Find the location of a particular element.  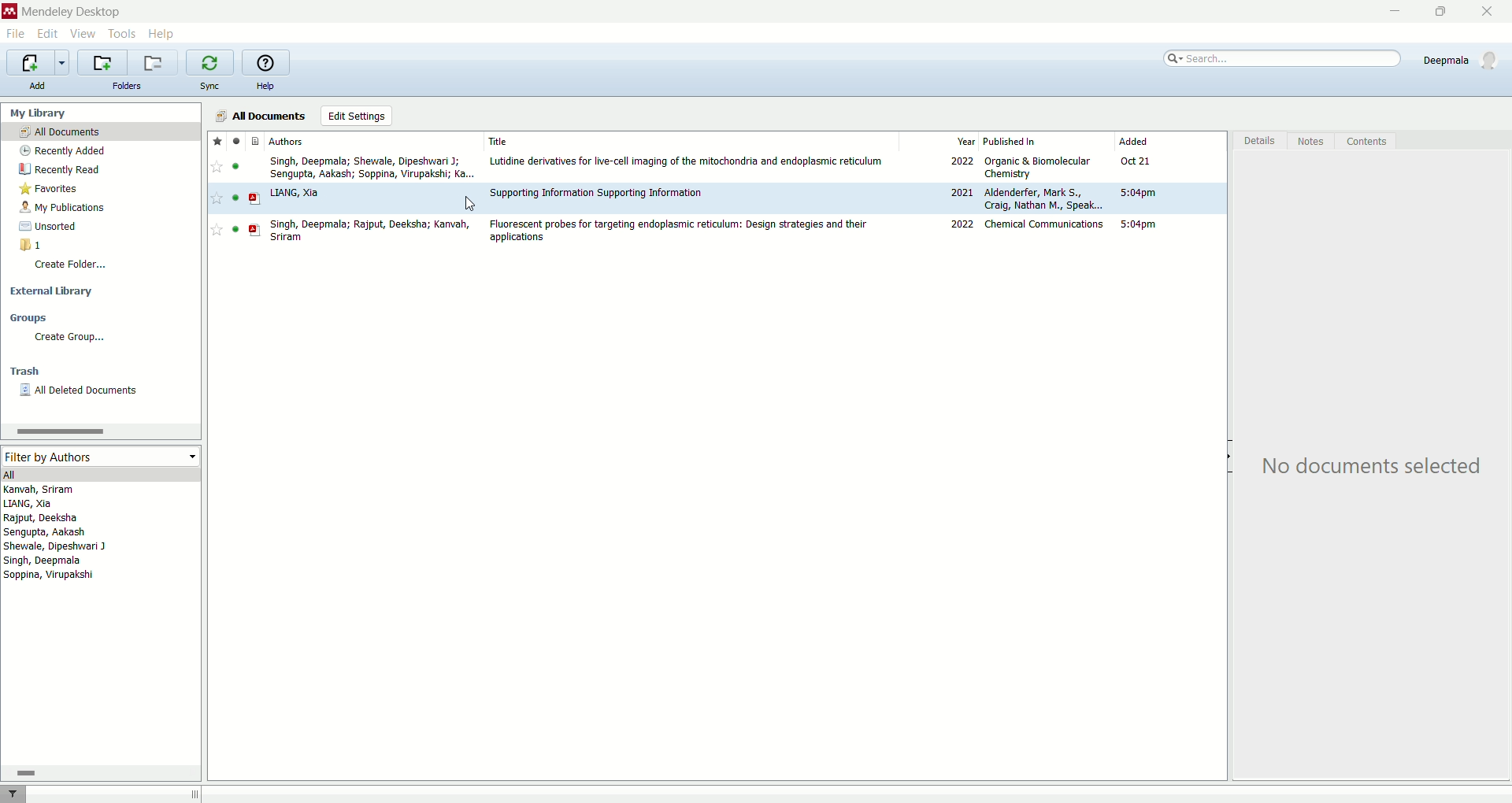

close is located at coordinates (1488, 11).